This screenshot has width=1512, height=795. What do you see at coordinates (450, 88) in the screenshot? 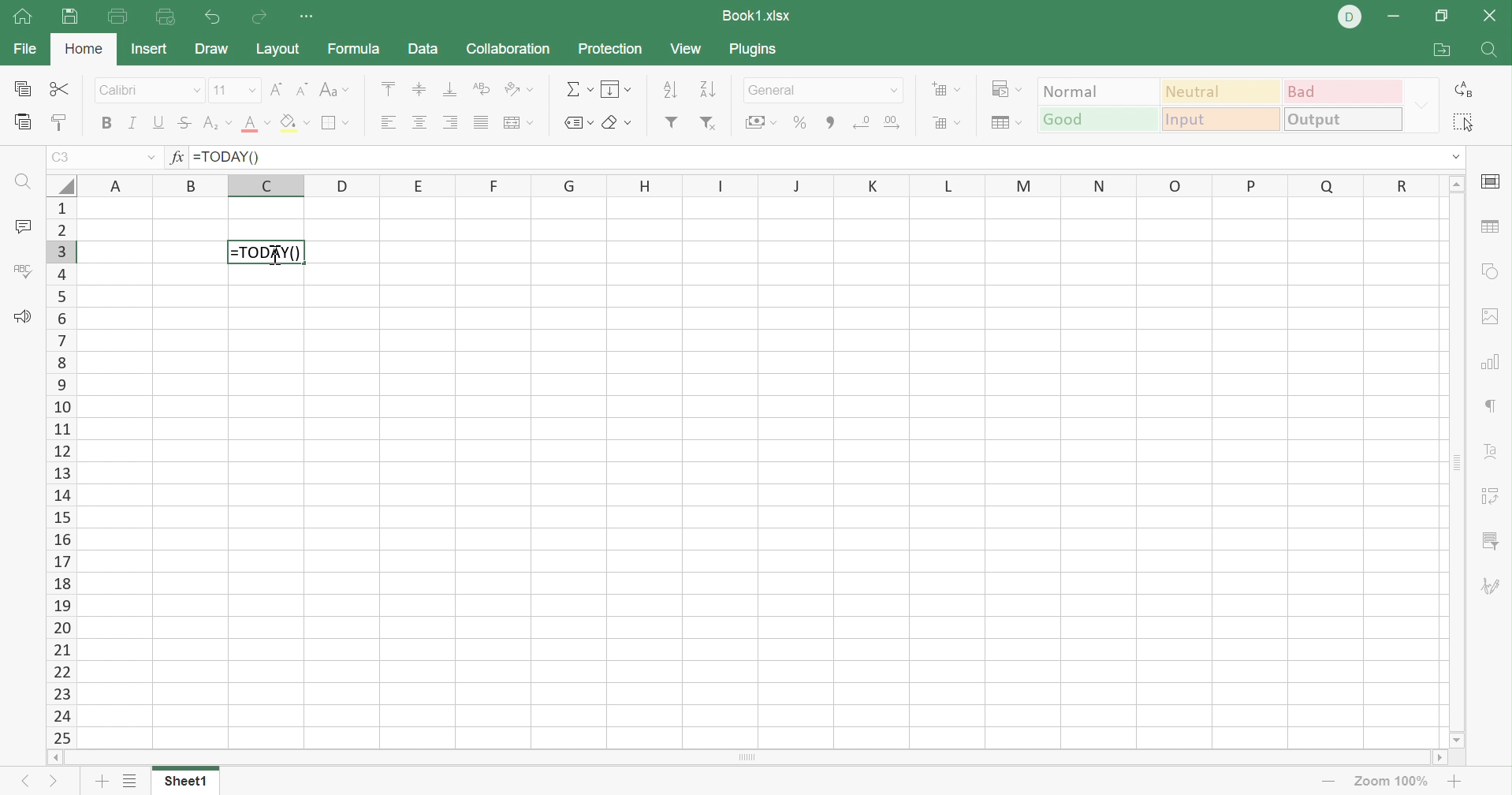
I see `Align Bottom` at bounding box center [450, 88].